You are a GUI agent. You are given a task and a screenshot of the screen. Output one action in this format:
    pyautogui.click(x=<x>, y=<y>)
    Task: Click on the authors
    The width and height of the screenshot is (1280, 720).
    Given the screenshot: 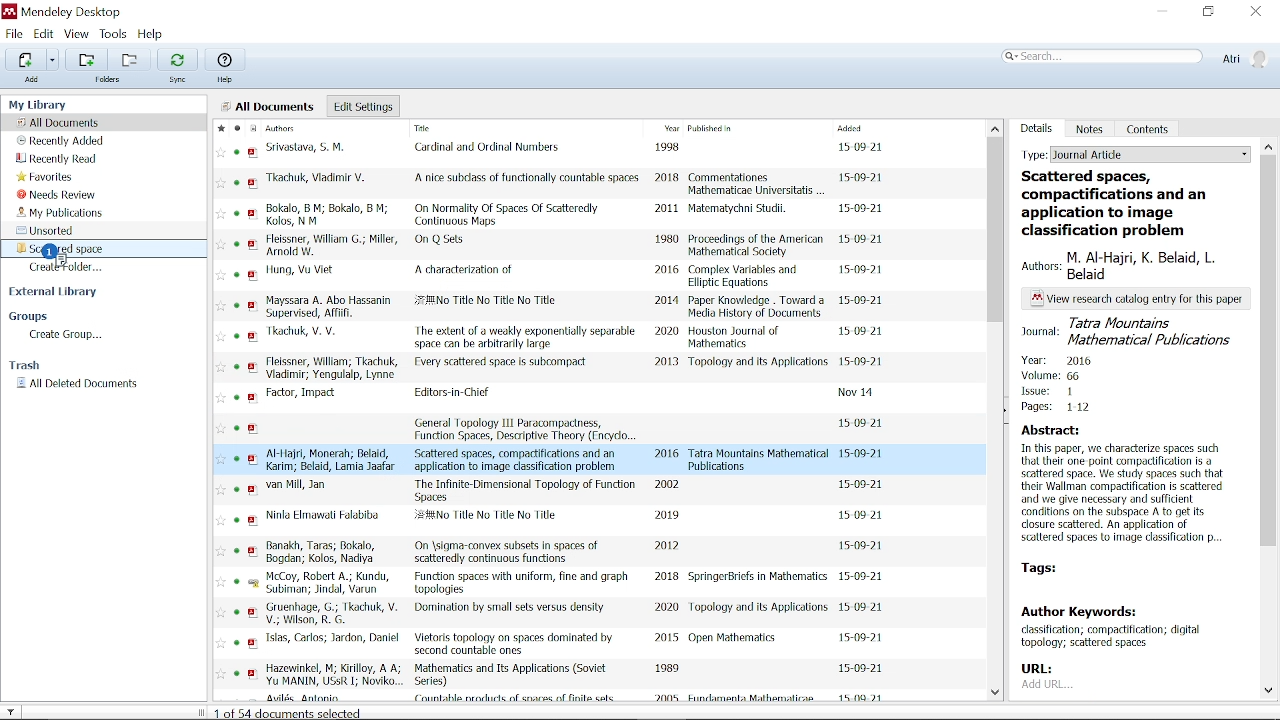 What is the action you would take?
    pyautogui.click(x=333, y=638)
    